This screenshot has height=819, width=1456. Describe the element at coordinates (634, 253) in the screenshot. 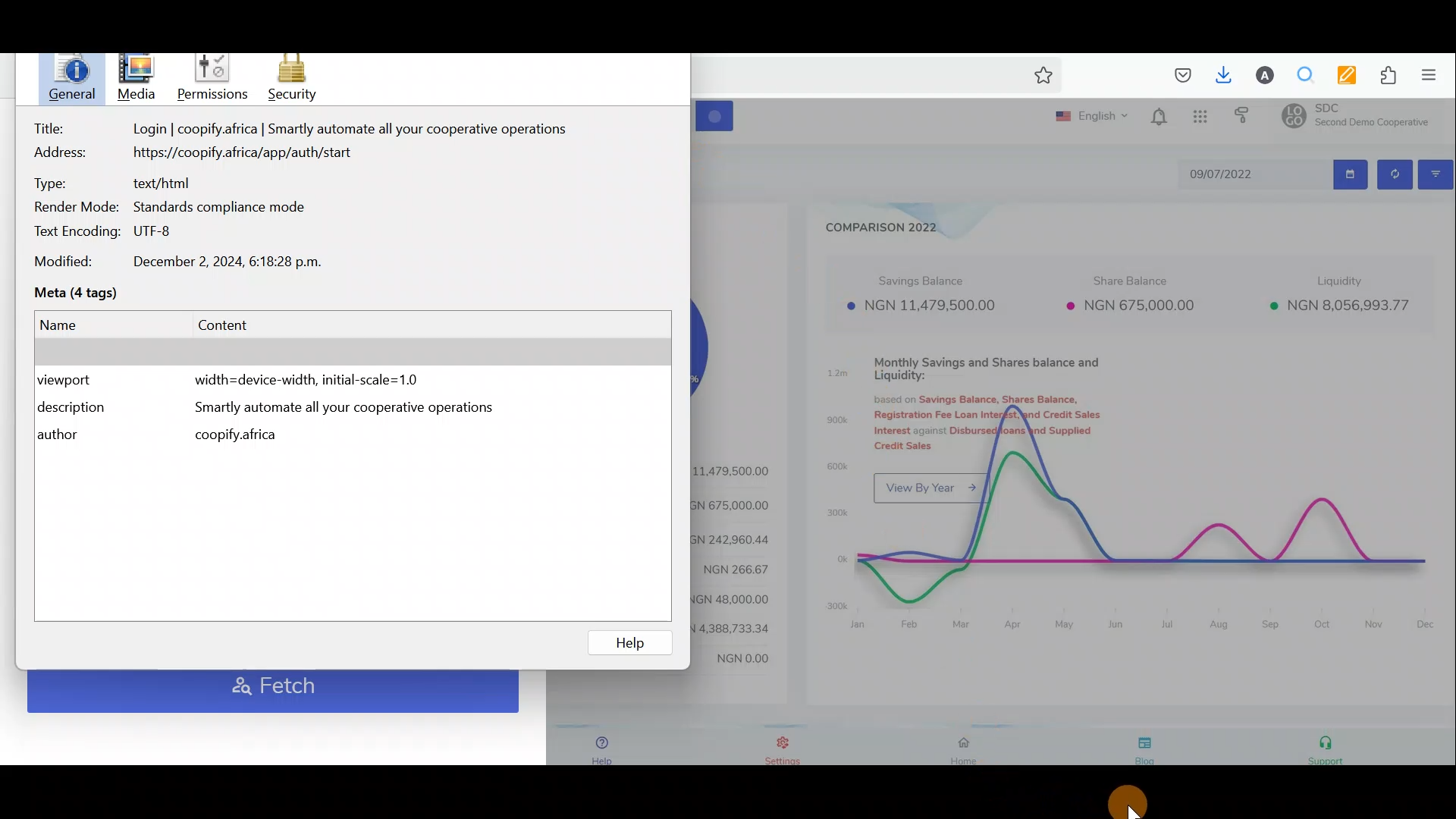

I see `Block` at that location.